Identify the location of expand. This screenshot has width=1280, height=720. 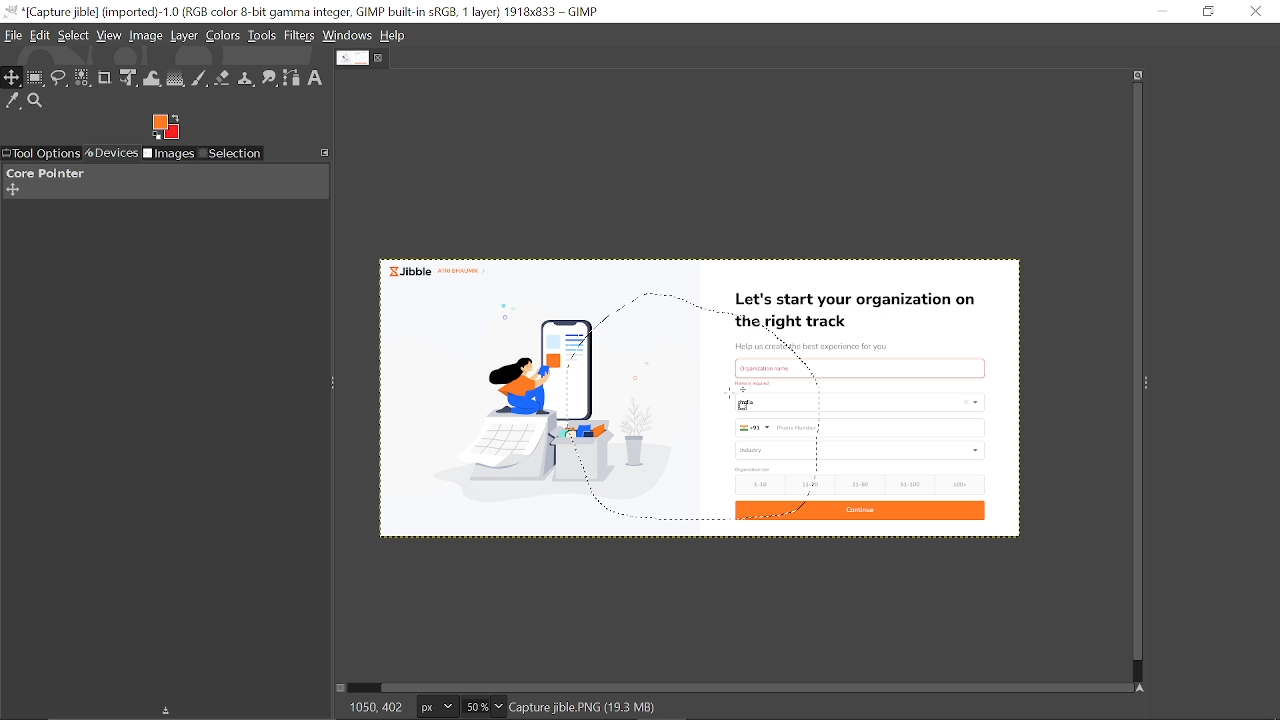
(165, 125).